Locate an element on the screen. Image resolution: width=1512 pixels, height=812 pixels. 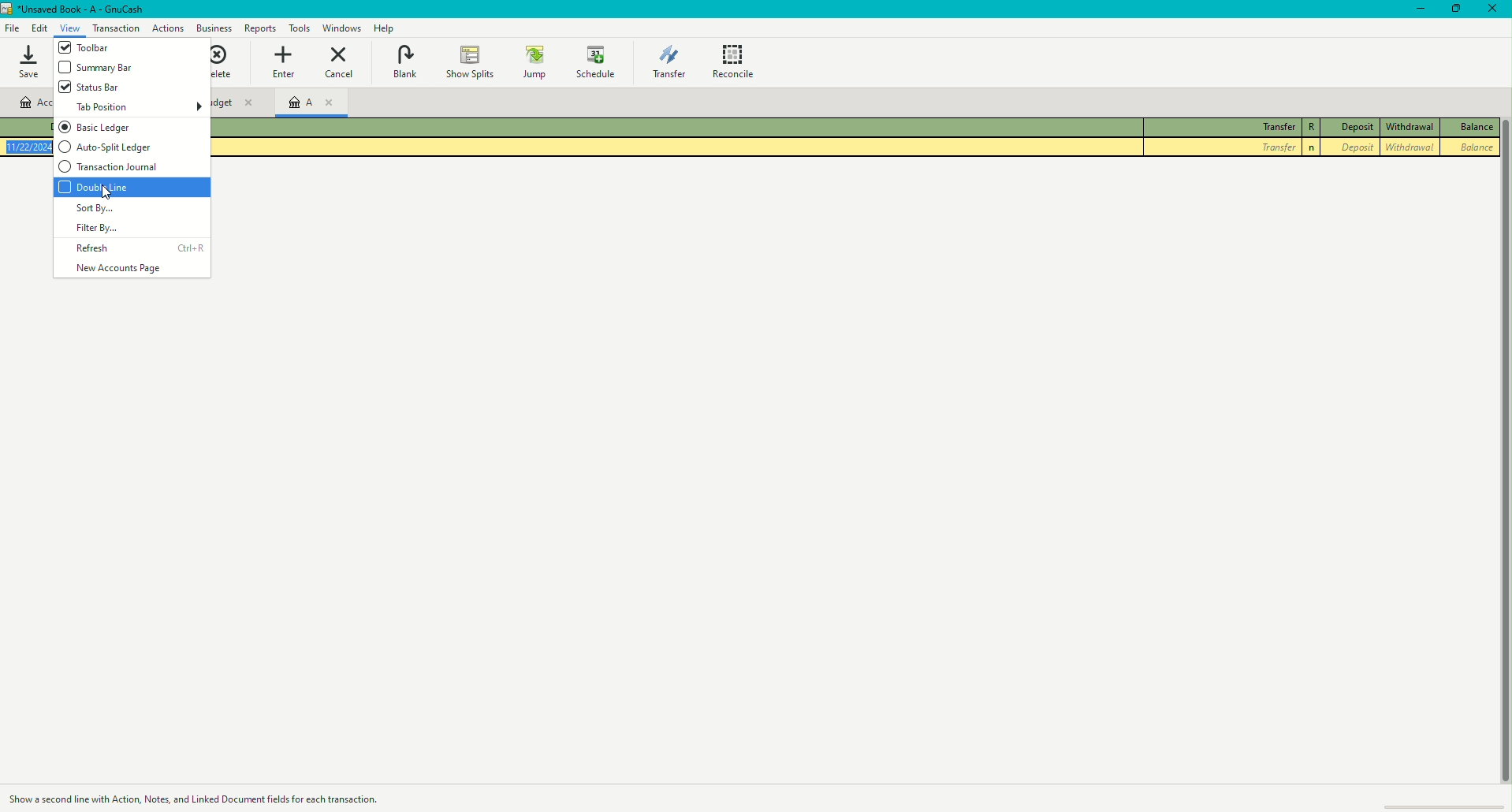
Reports is located at coordinates (259, 28).